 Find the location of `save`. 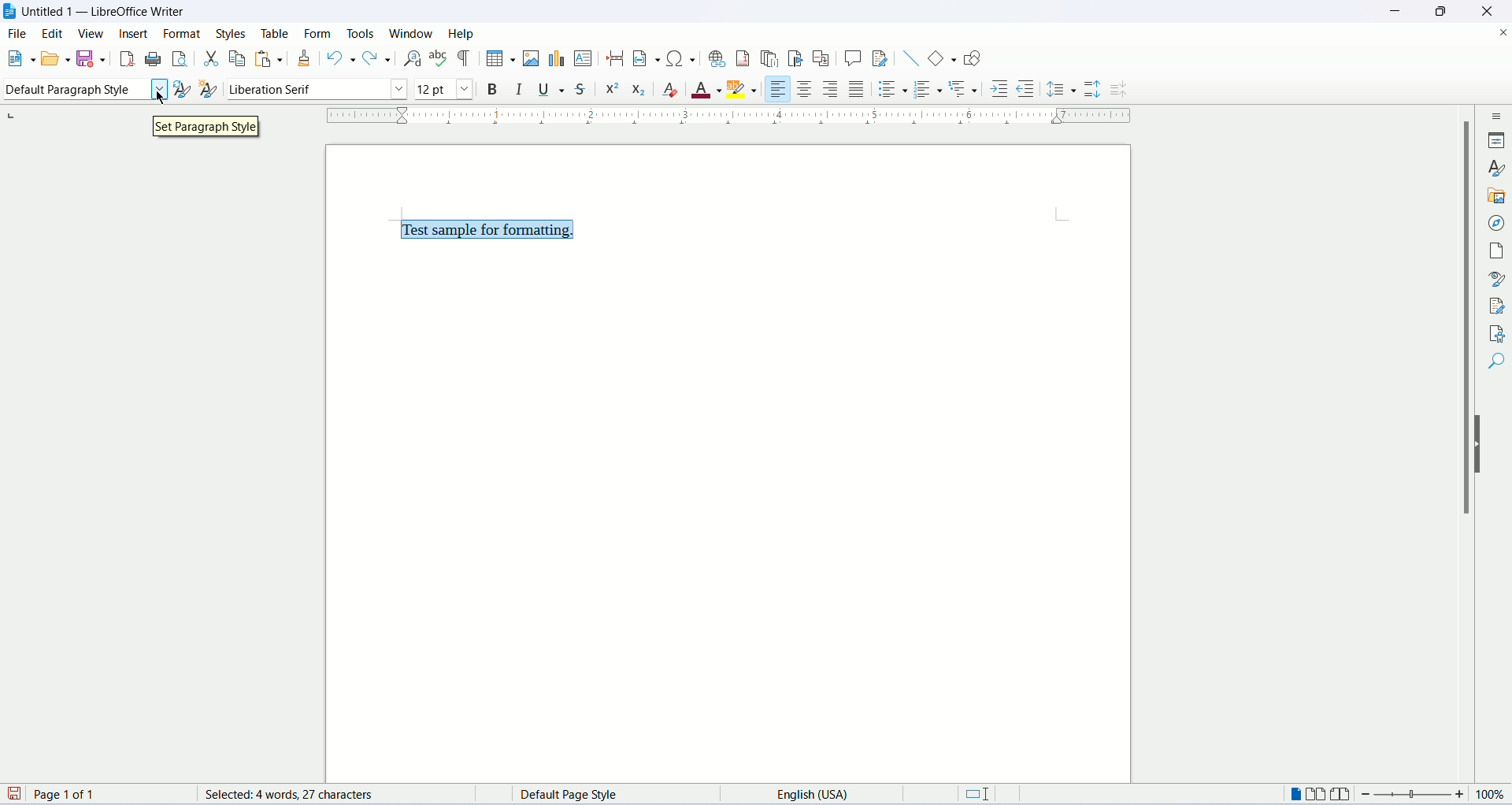

save is located at coordinates (92, 59).